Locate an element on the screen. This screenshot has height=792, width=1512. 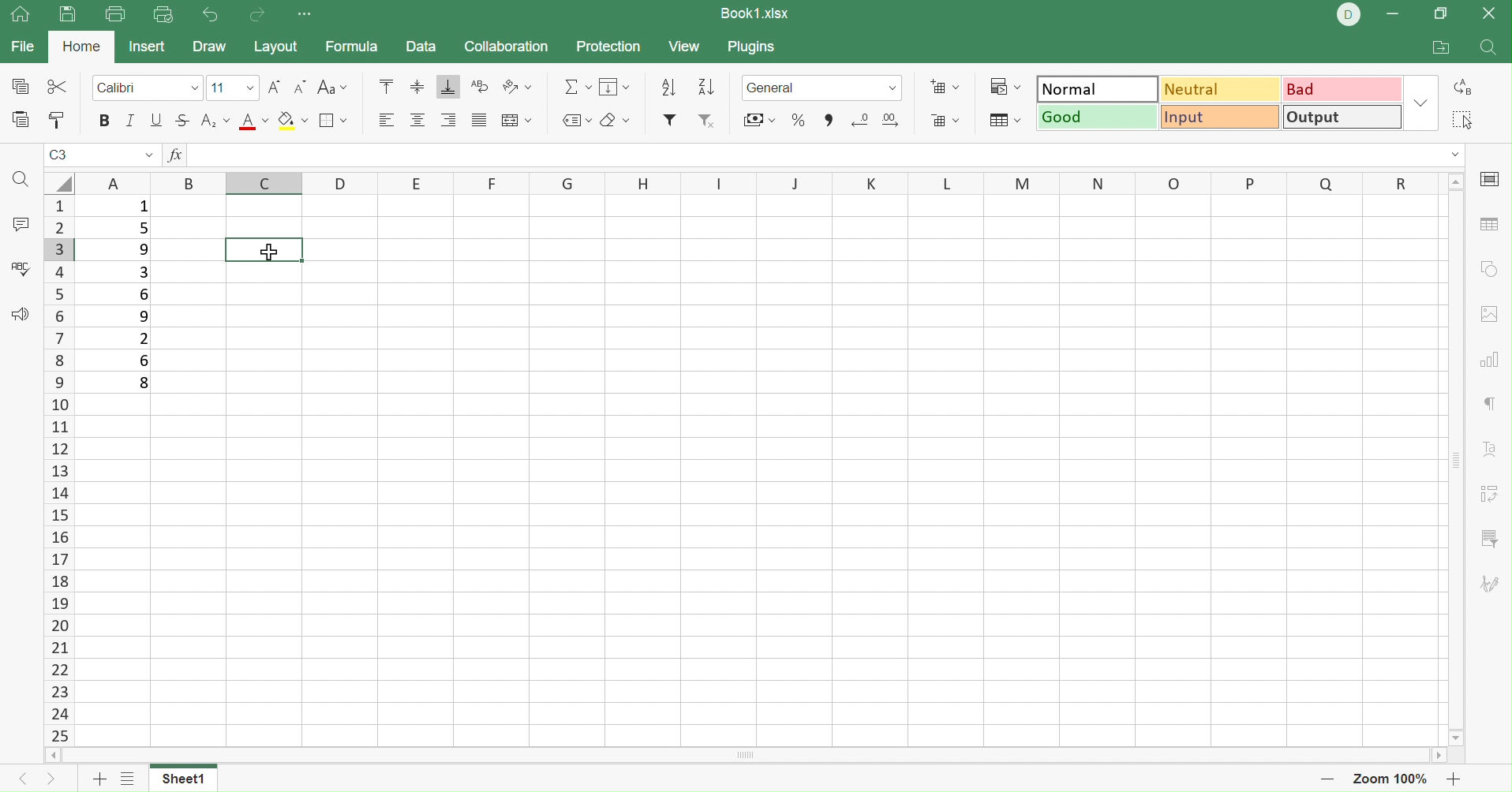
fx is located at coordinates (173, 155).